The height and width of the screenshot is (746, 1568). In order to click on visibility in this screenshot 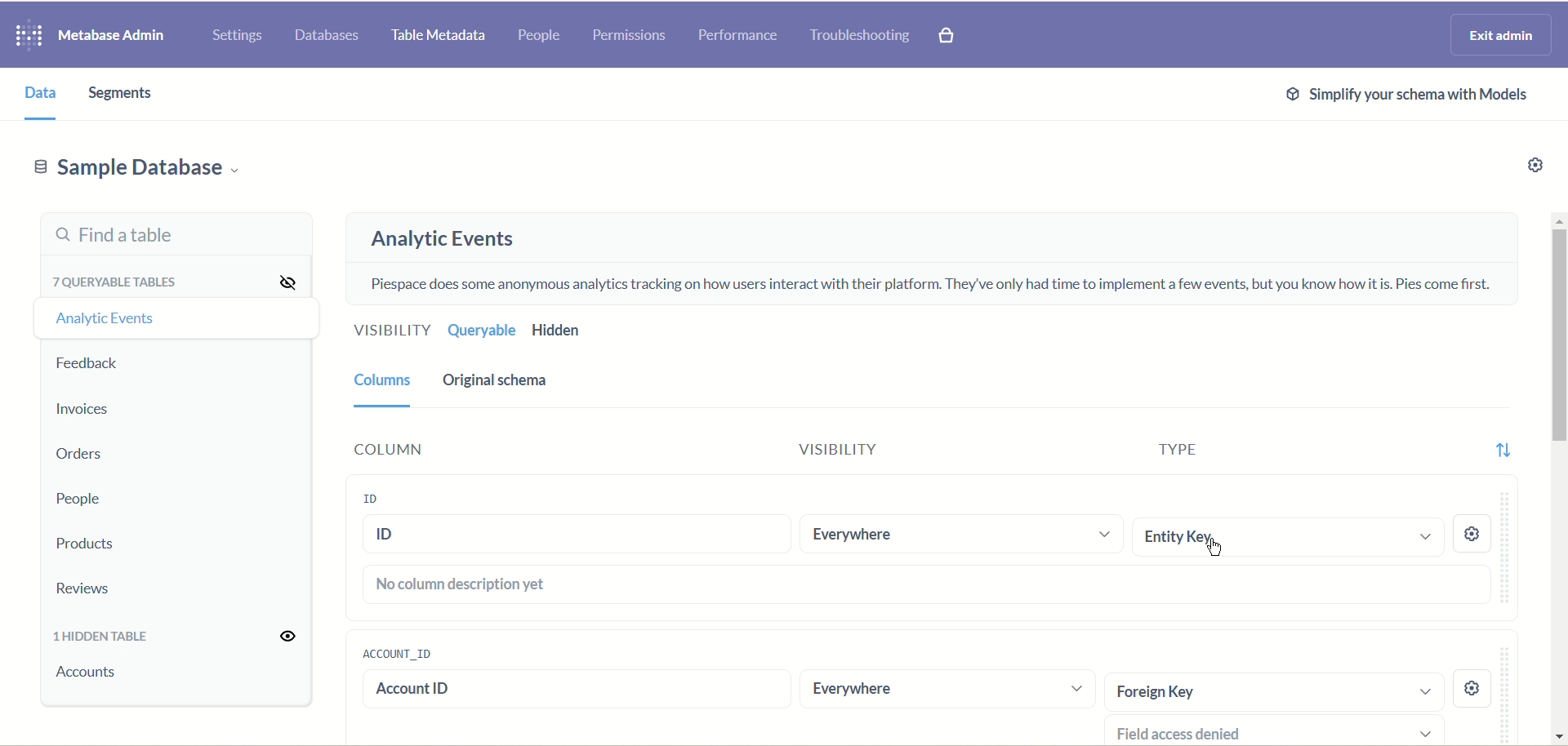, I will do `click(820, 450)`.